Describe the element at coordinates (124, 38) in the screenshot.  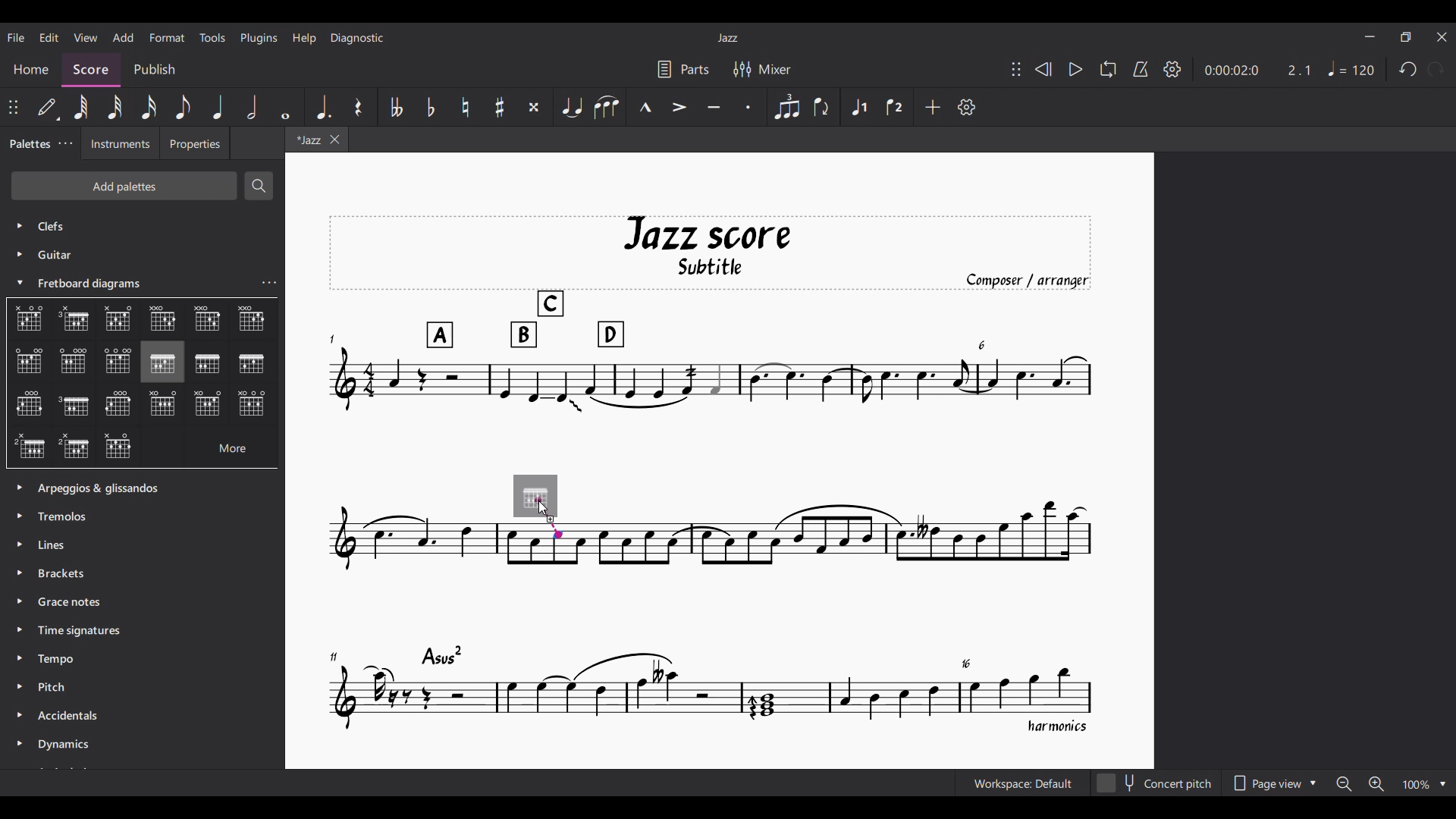
I see `Add menu` at that location.